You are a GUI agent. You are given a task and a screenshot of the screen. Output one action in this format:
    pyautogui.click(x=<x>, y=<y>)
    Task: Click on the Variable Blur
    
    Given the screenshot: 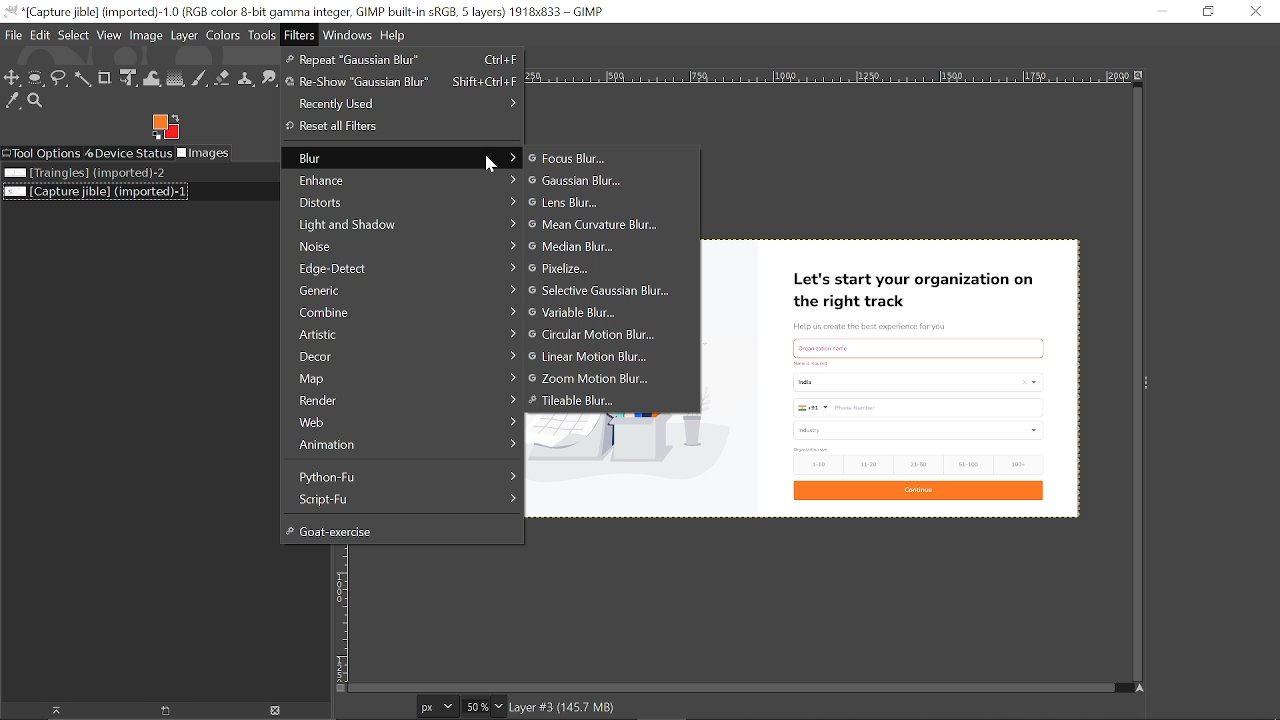 What is the action you would take?
    pyautogui.click(x=605, y=313)
    